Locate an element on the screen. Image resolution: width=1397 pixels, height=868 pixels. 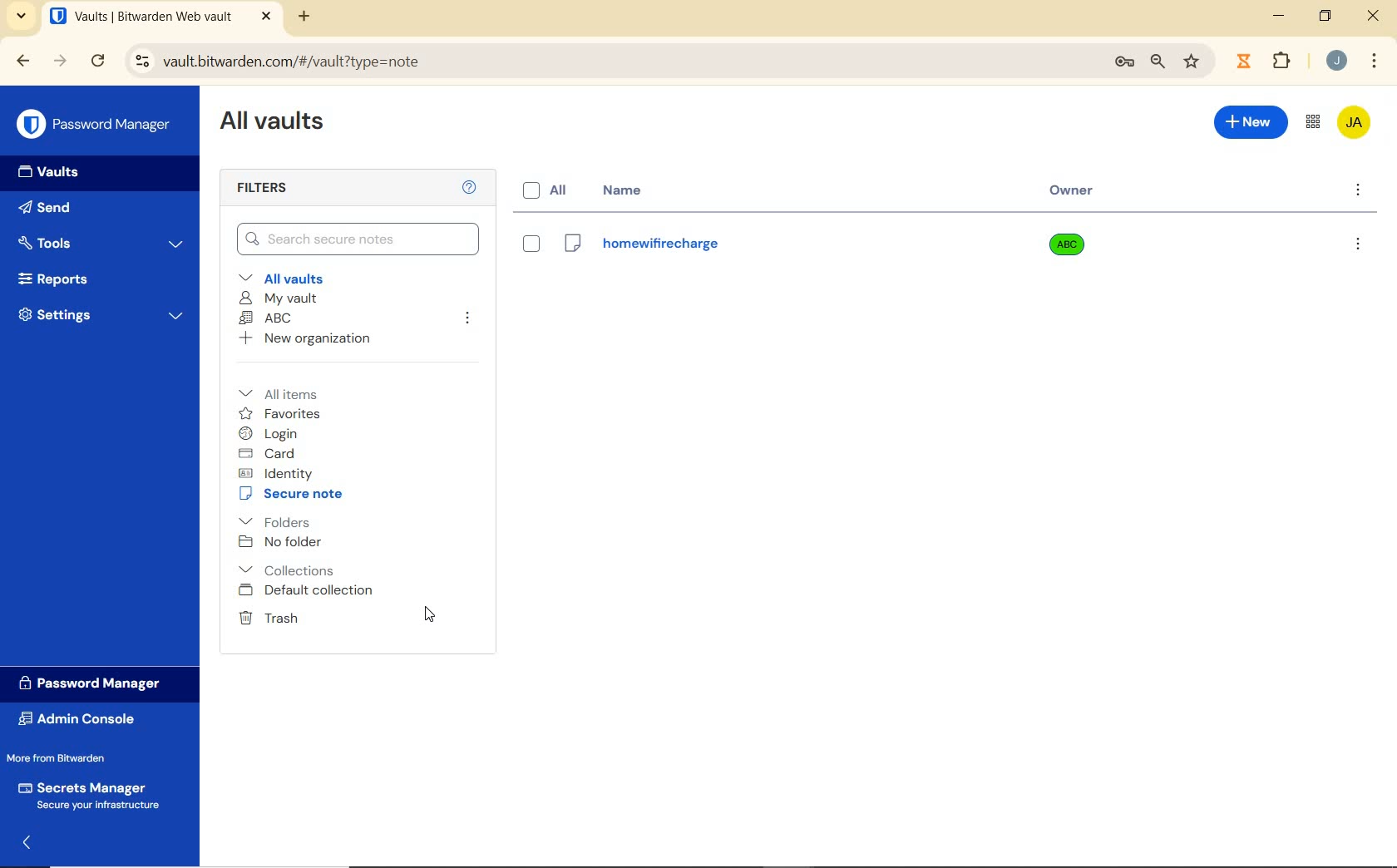
address bar is located at coordinates (607, 62).